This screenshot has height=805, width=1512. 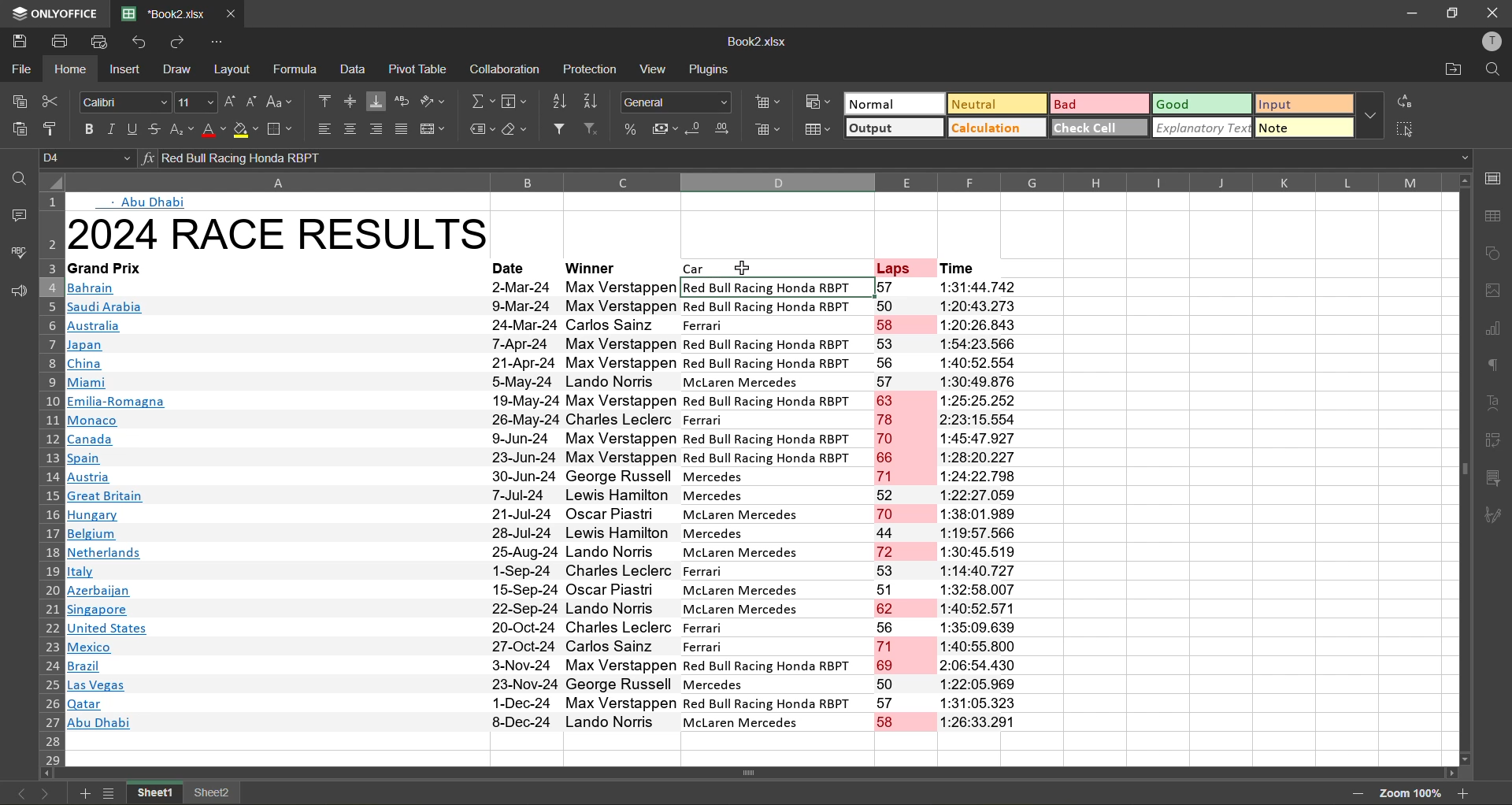 What do you see at coordinates (756, 181) in the screenshot?
I see `column names ` at bounding box center [756, 181].